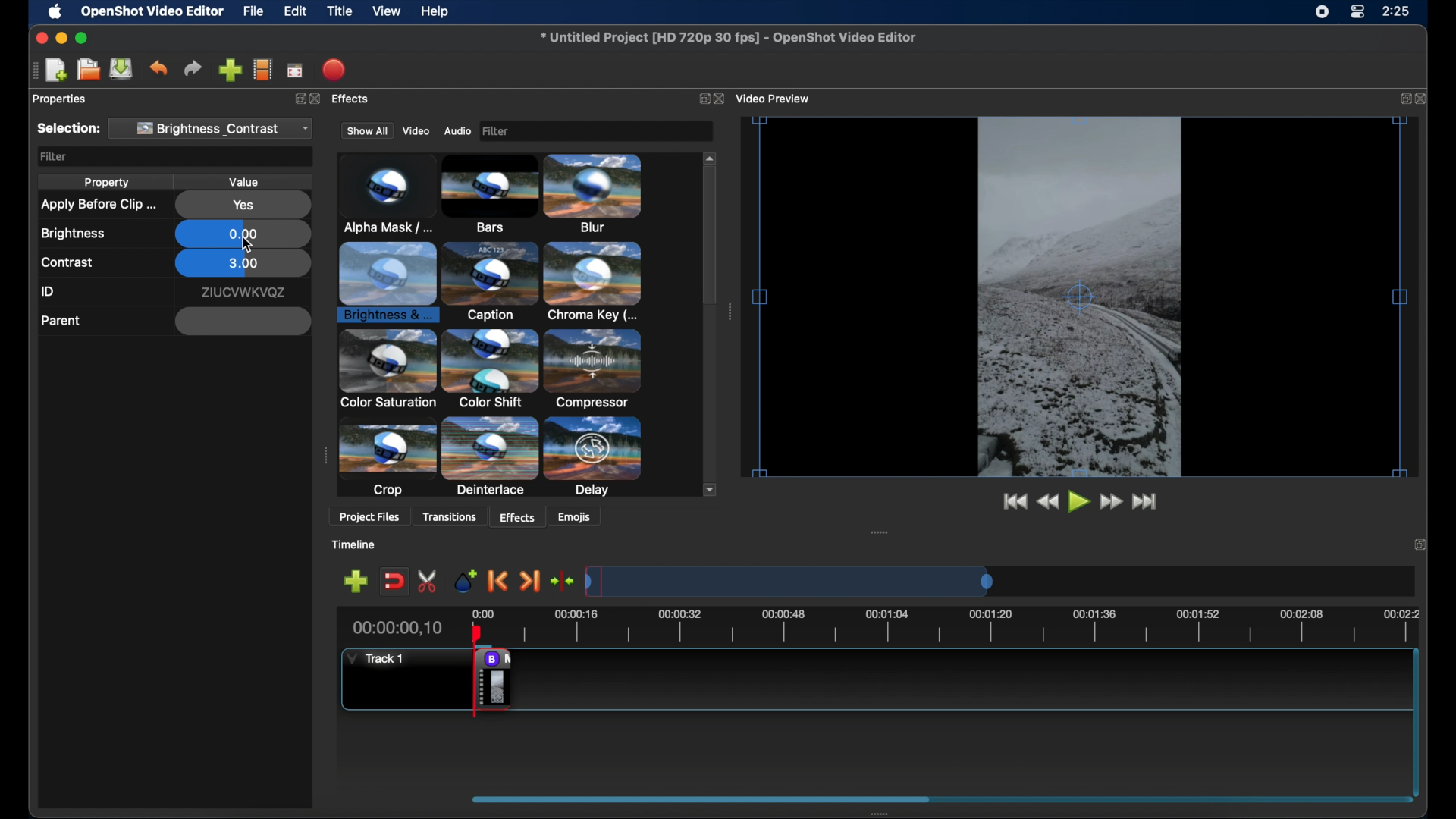  I want to click on cursor, so click(246, 246).